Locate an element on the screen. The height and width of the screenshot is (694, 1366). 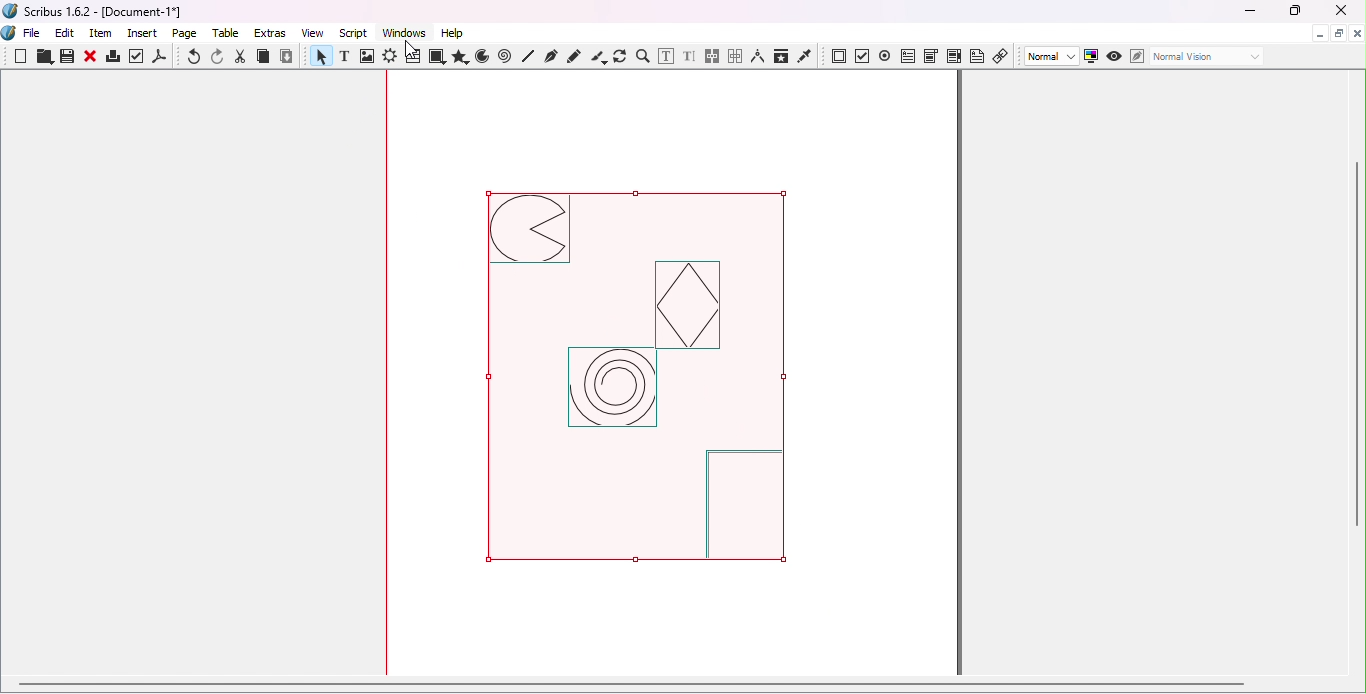
Horizontal scroll bar is located at coordinates (674, 687).